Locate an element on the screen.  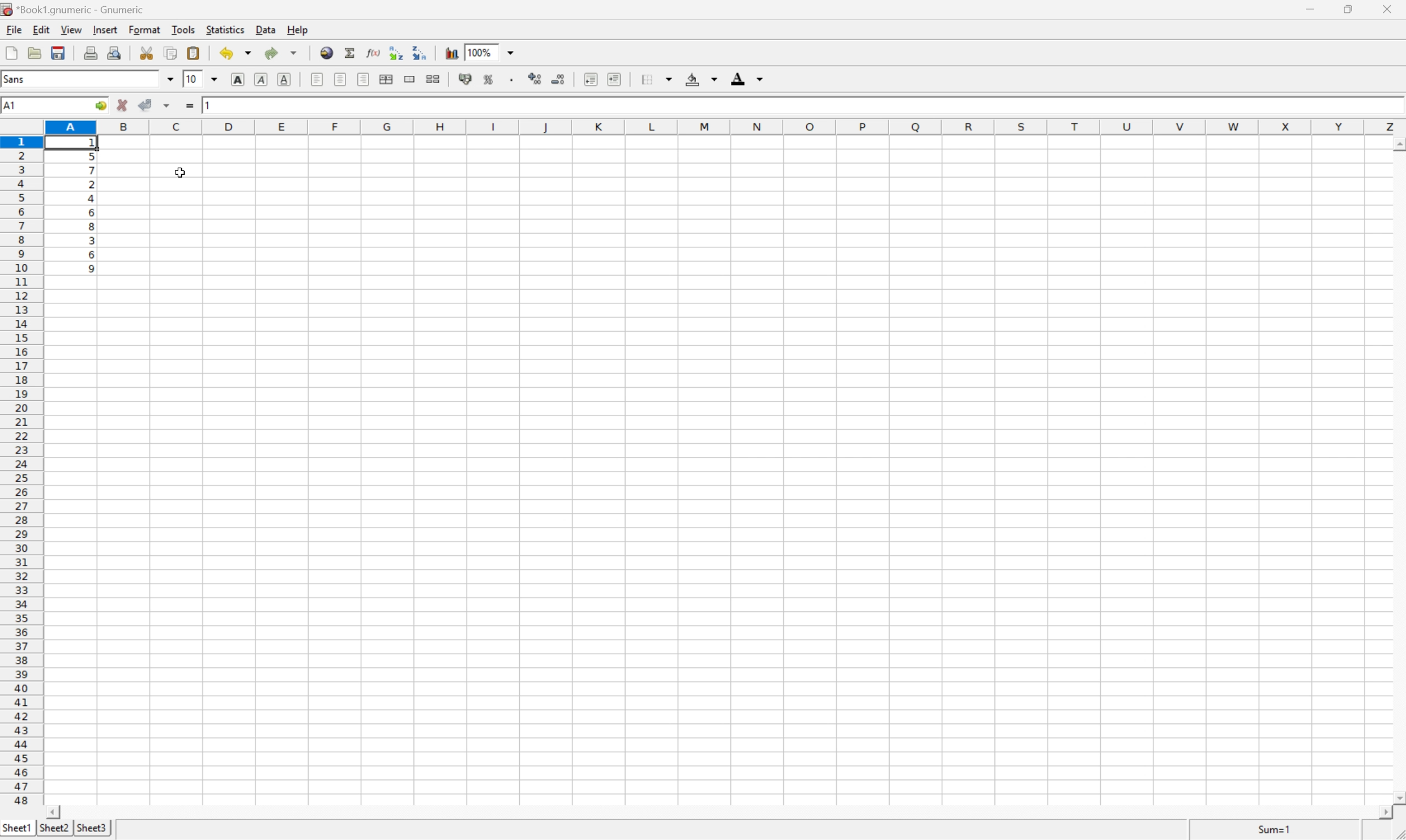
scroll down is located at coordinates (1397, 797).